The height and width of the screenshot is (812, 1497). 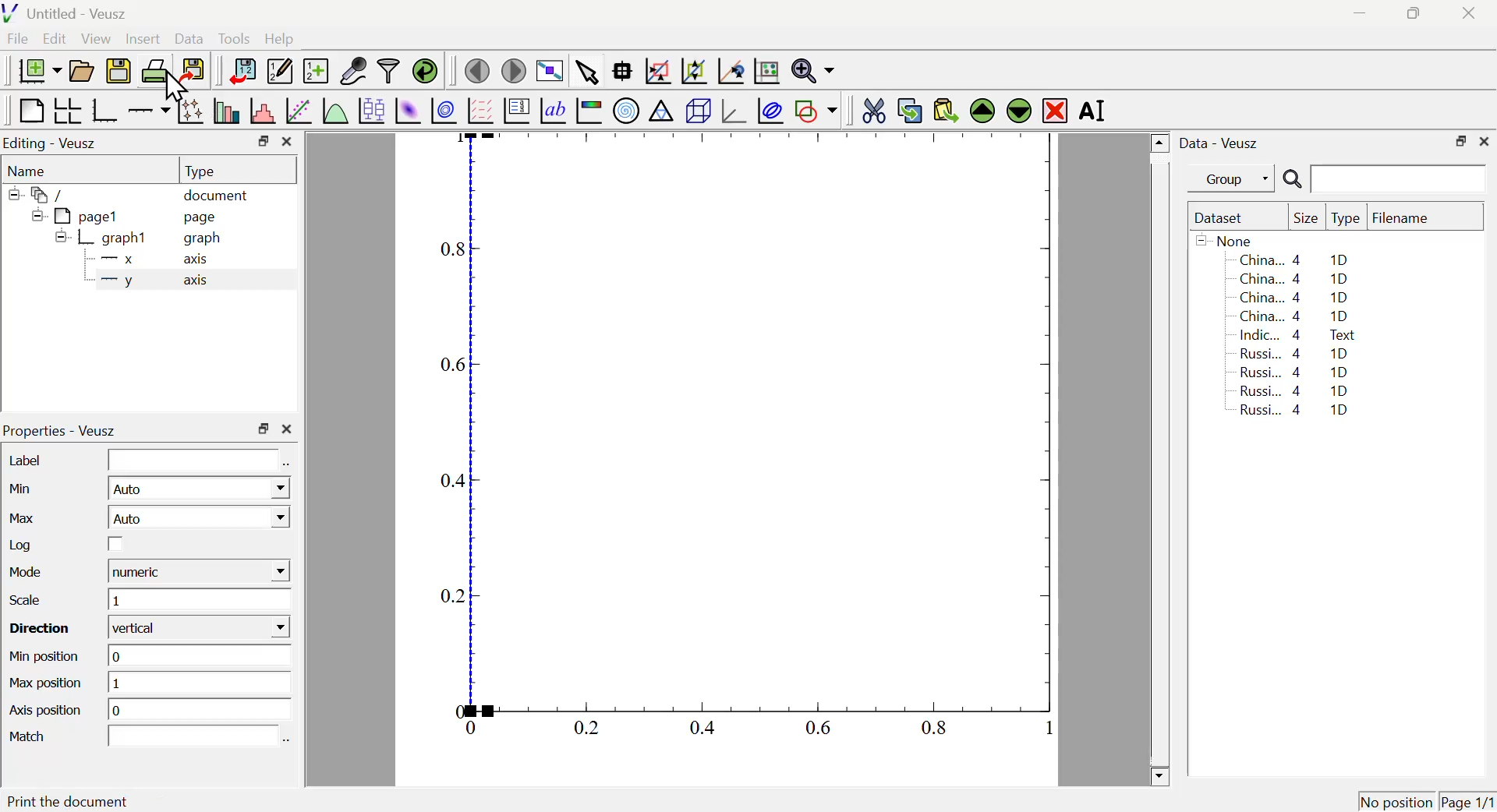 What do you see at coordinates (287, 430) in the screenshot?
I see `Close` at bounding box center [287, 430].